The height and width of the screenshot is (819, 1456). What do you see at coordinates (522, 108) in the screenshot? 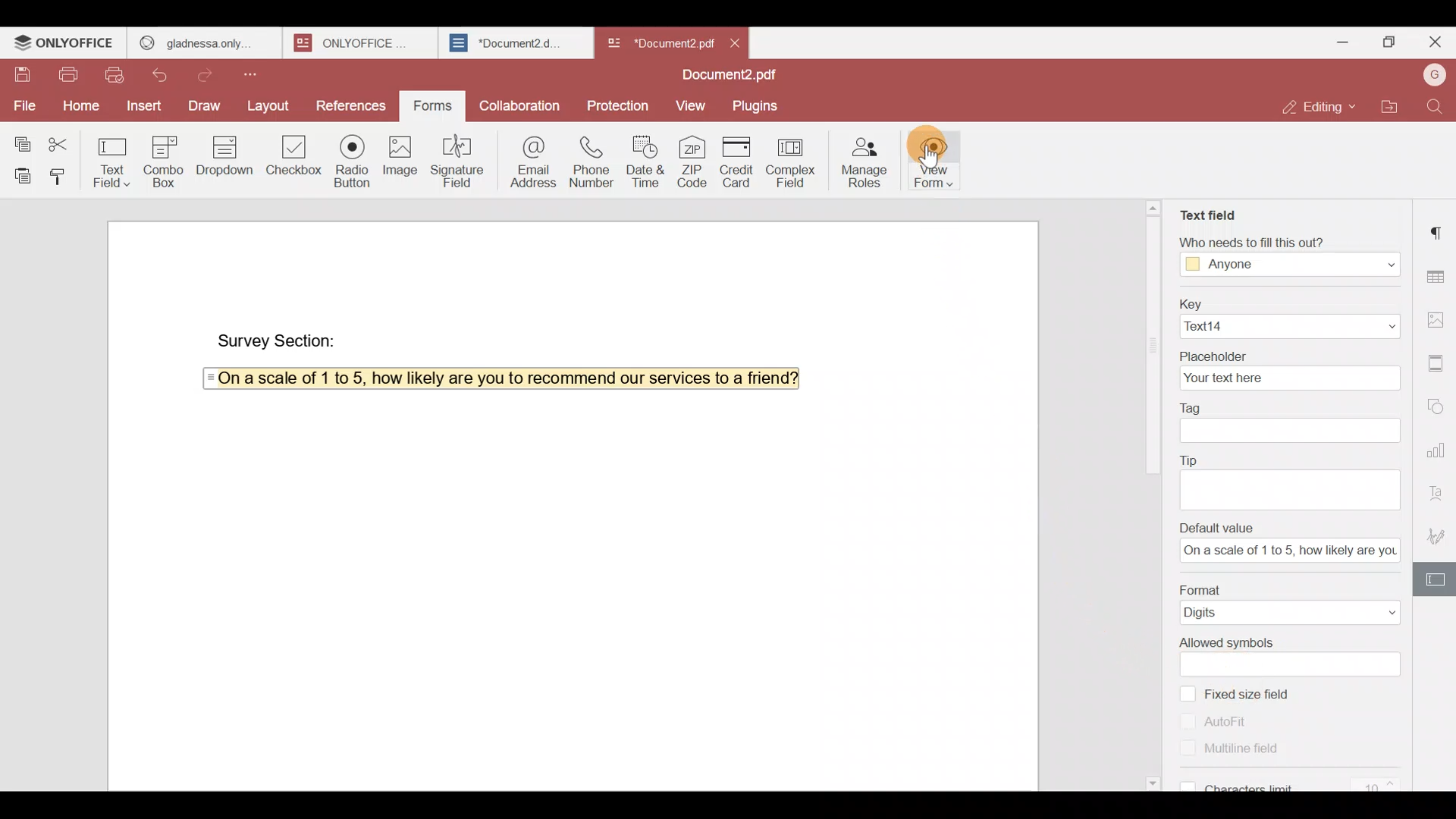
I see `Collaboration` at bounding box center [522, 108].